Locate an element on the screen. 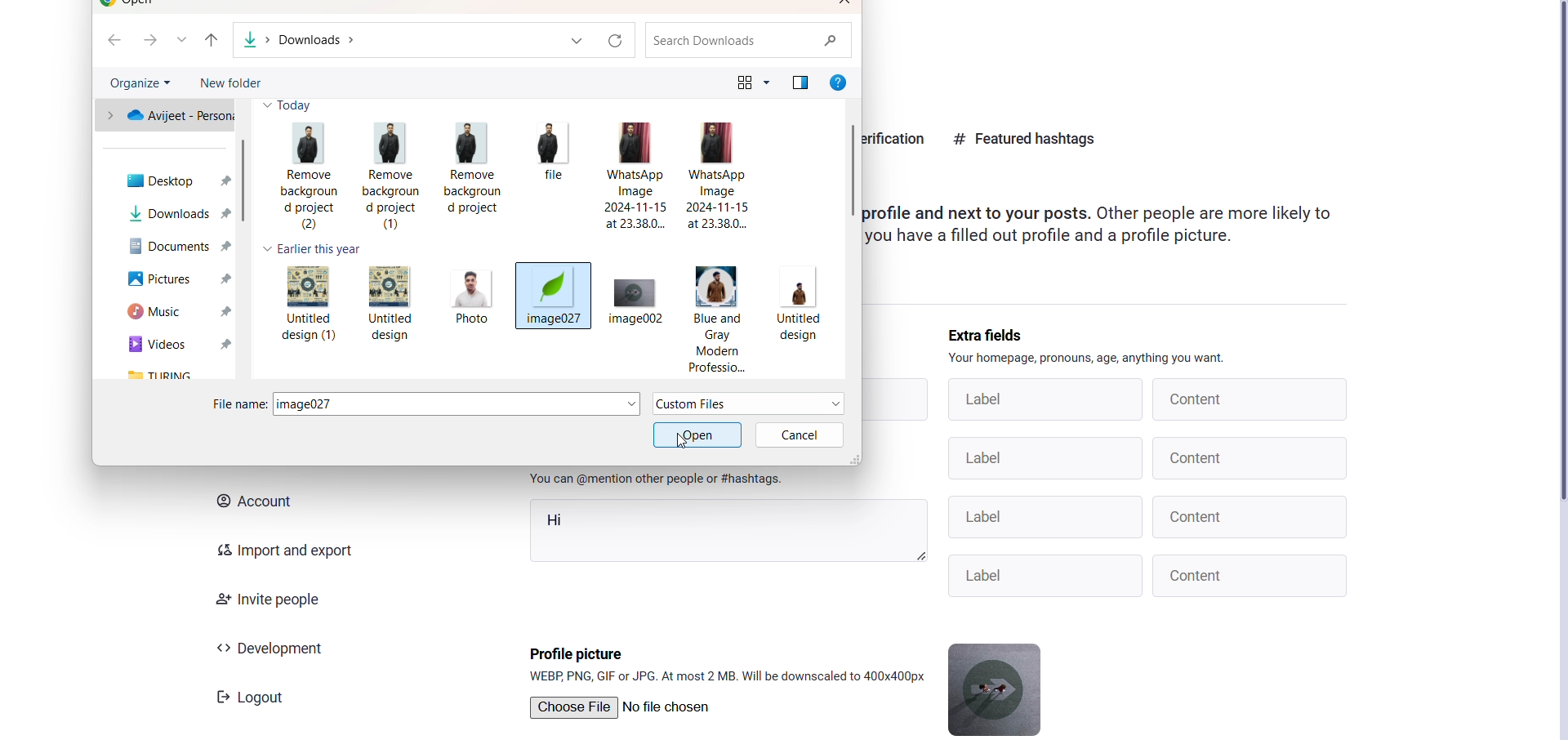  view is located at coordinates (746, 81).